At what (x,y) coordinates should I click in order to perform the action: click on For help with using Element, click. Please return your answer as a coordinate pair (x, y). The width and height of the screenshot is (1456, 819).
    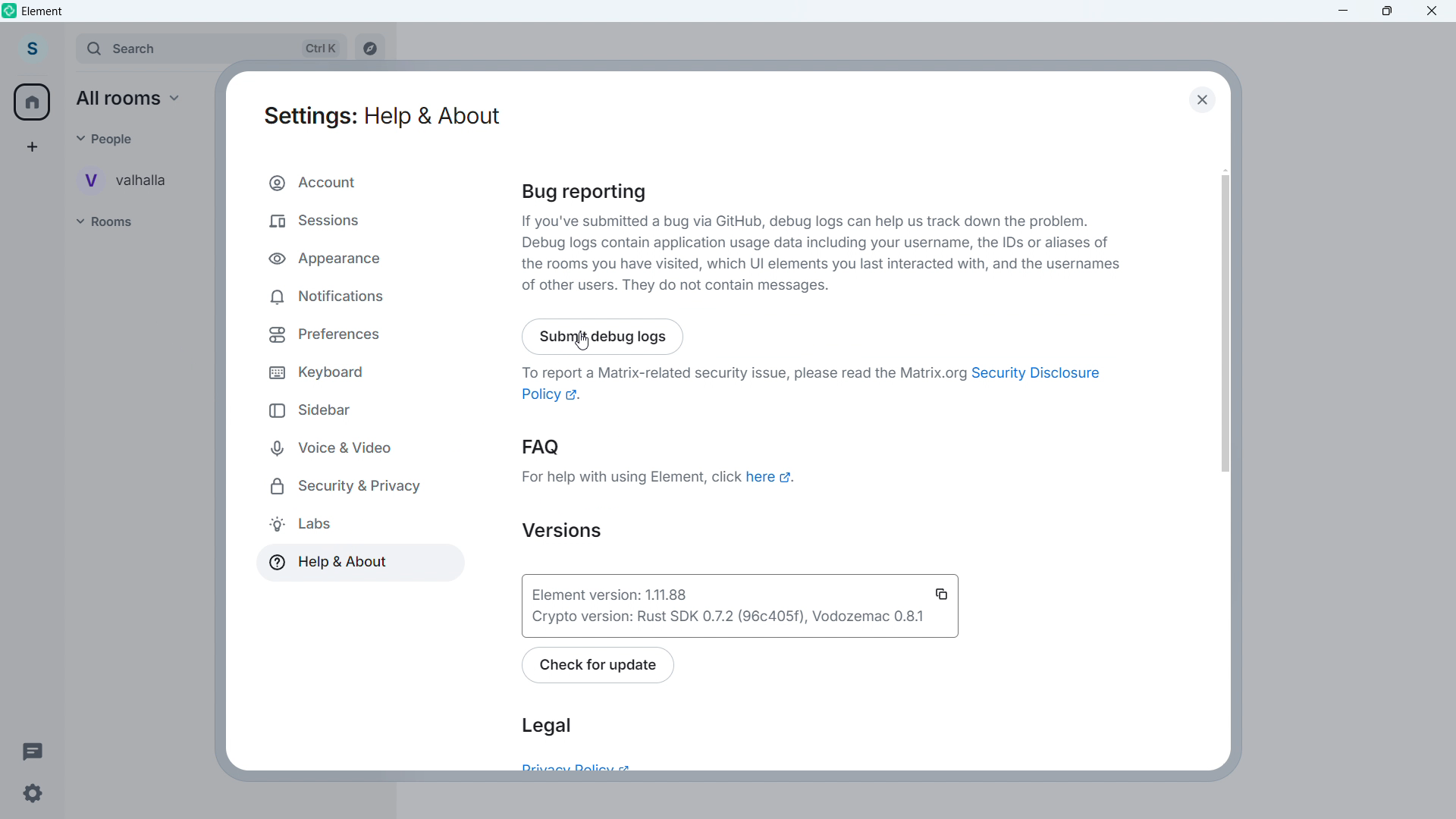
    Looking at the image, I should click on (631, 476).